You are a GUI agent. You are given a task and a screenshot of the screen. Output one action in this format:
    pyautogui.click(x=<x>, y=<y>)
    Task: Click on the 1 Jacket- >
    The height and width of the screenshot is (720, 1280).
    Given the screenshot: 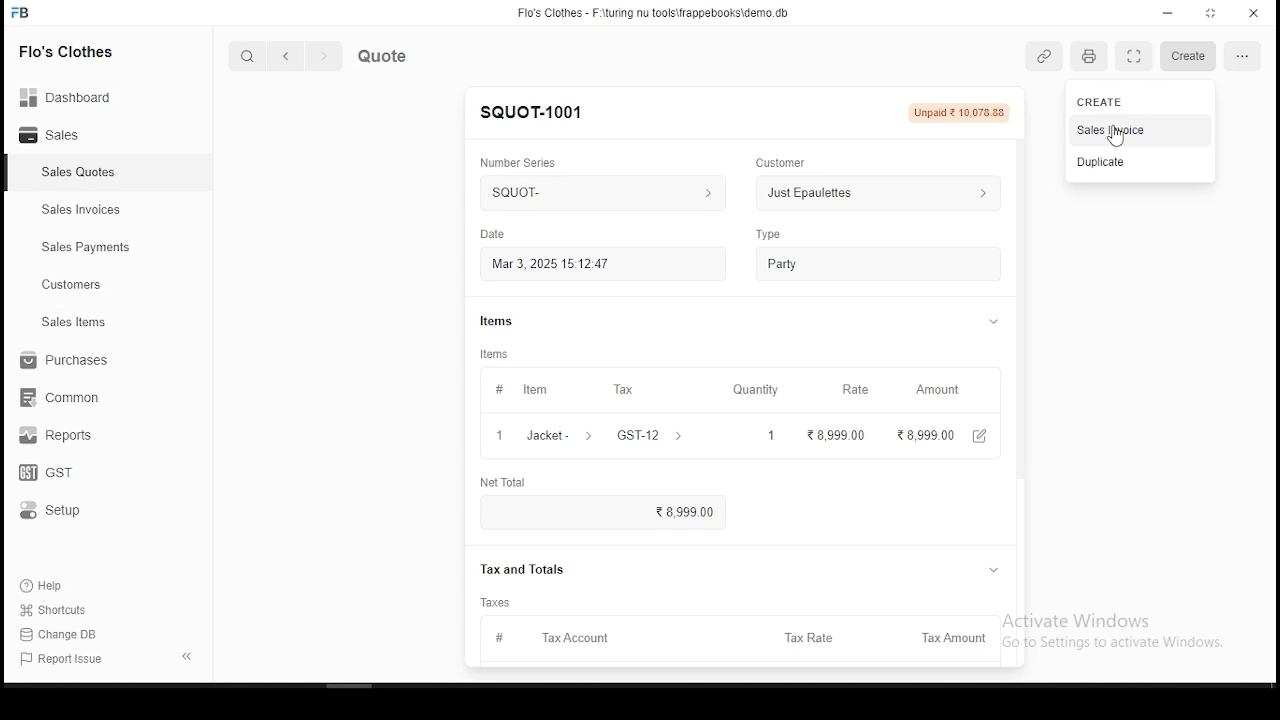 What is the action you would take?
    pyautogui.click(x=547, y=436)
    